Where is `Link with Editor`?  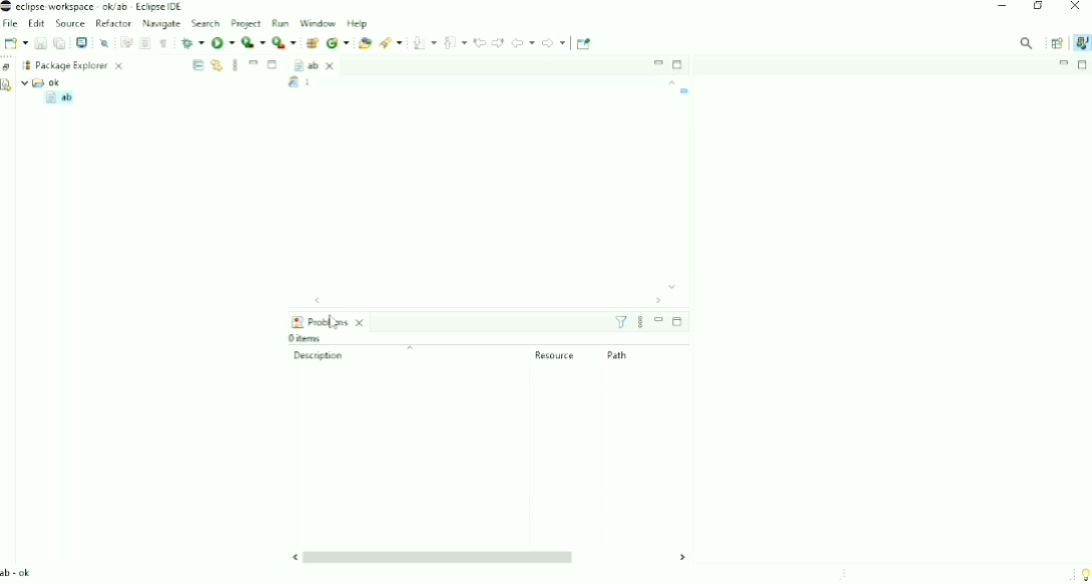 Link with Editor is located at coordinates (216, 65).